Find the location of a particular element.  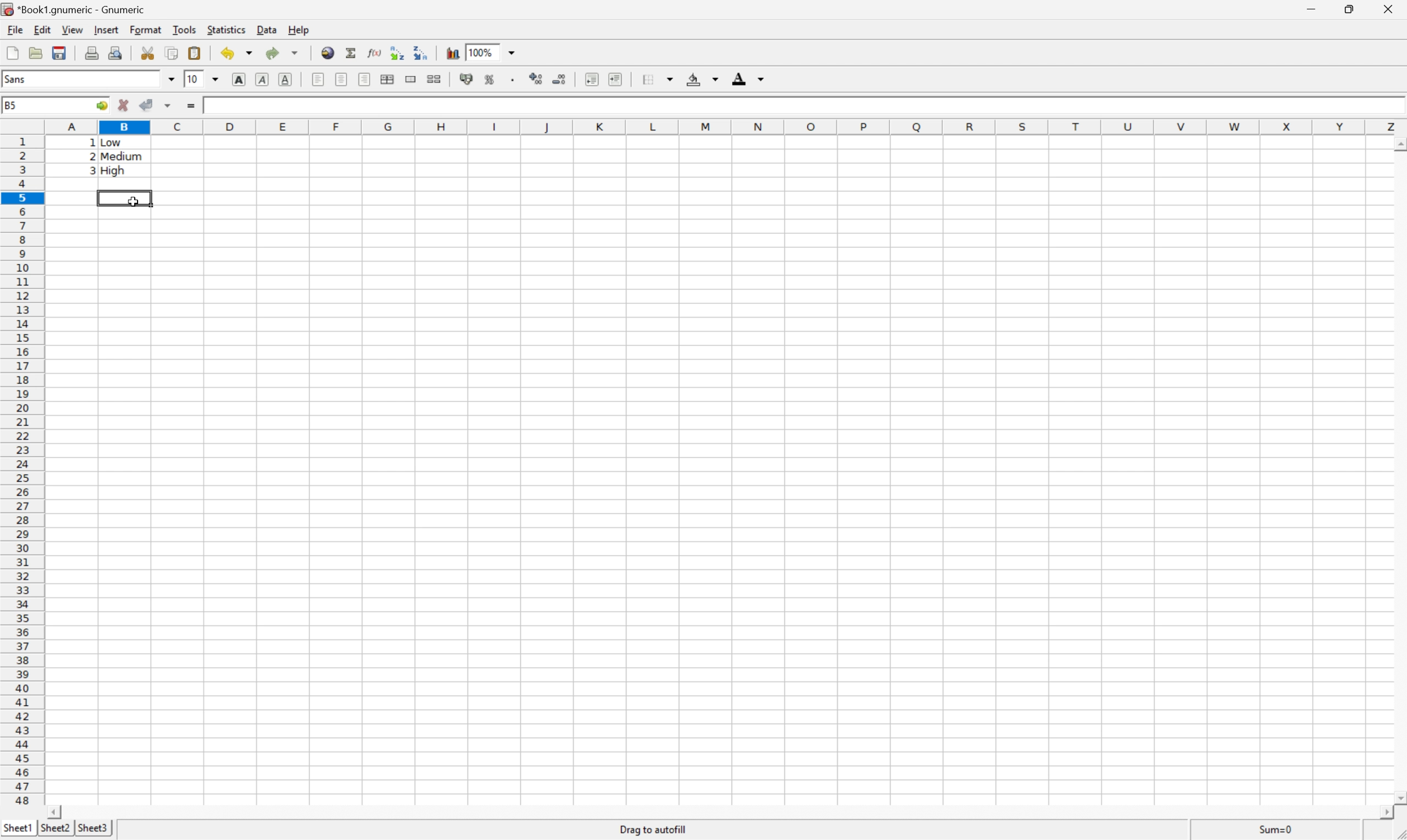

Foreground is located at coordinates (746, 78).